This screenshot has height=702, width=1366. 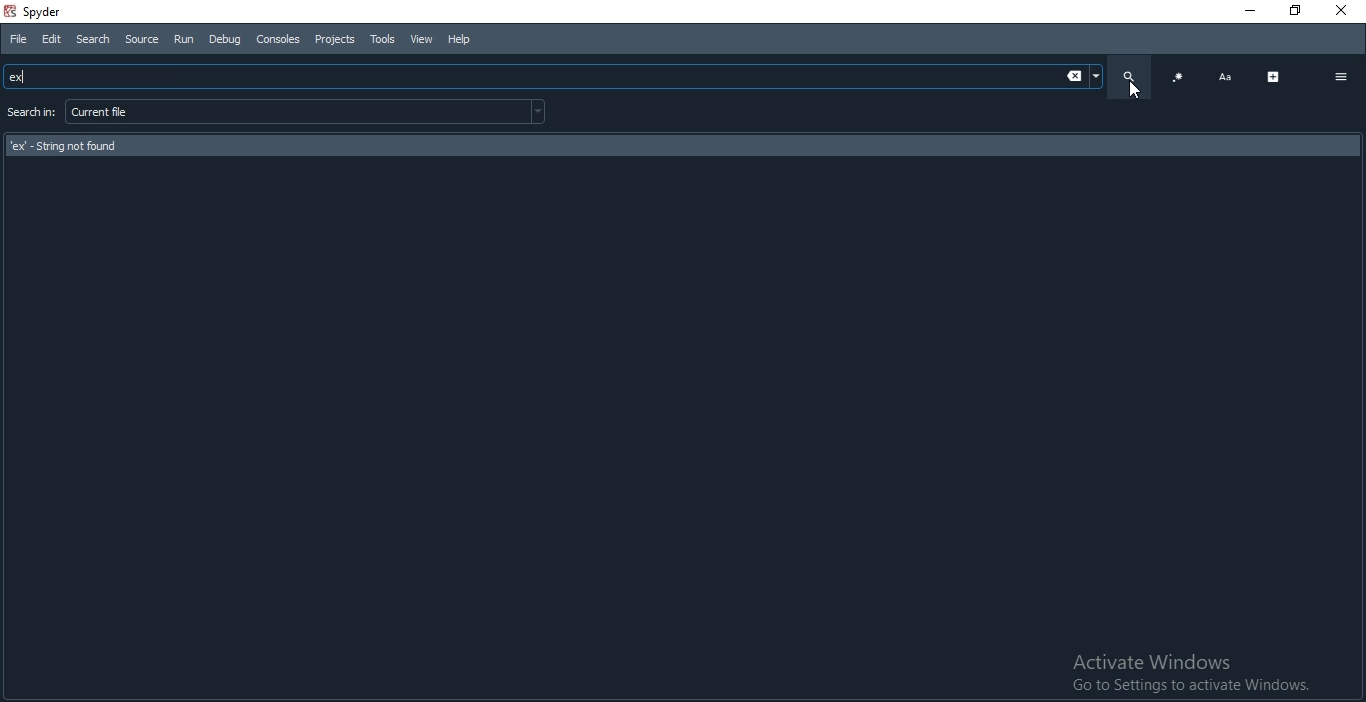 I want to click on Projects, so click(x=334, y=39).